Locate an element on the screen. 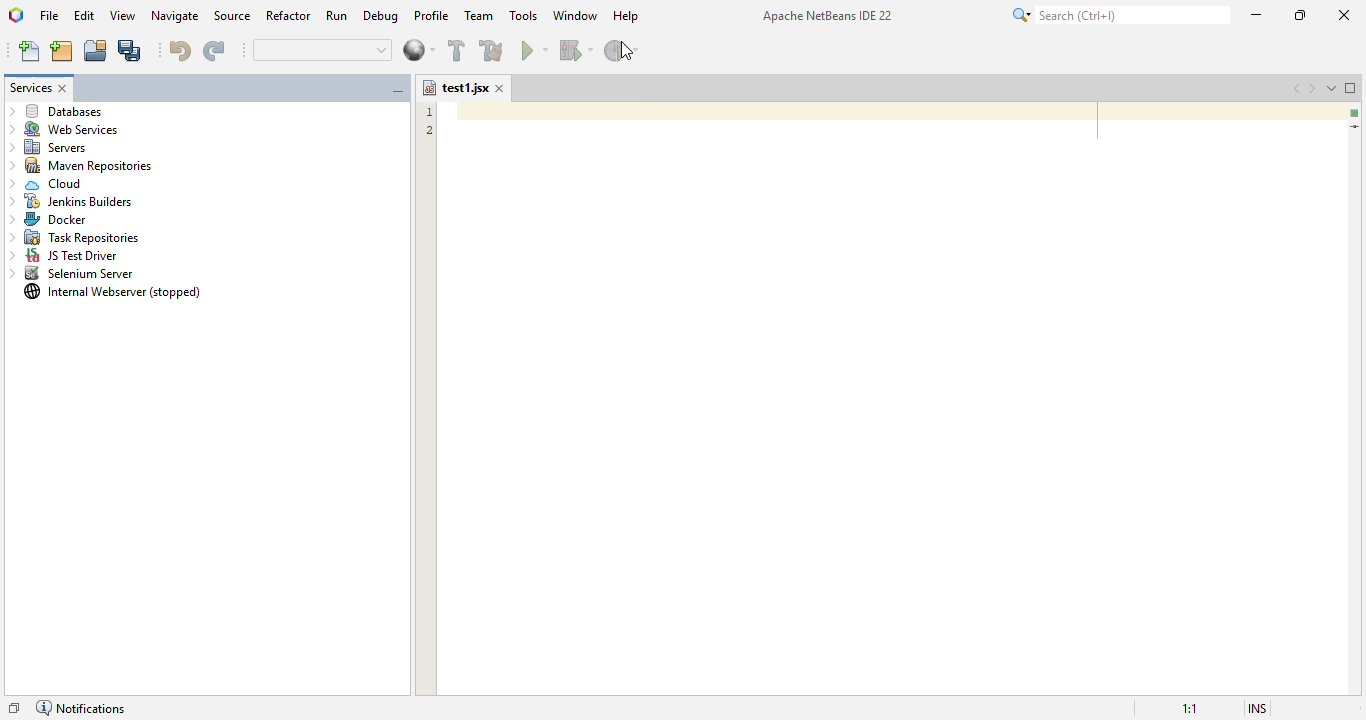  magnification ratio is located at coordinates (1190, 708).